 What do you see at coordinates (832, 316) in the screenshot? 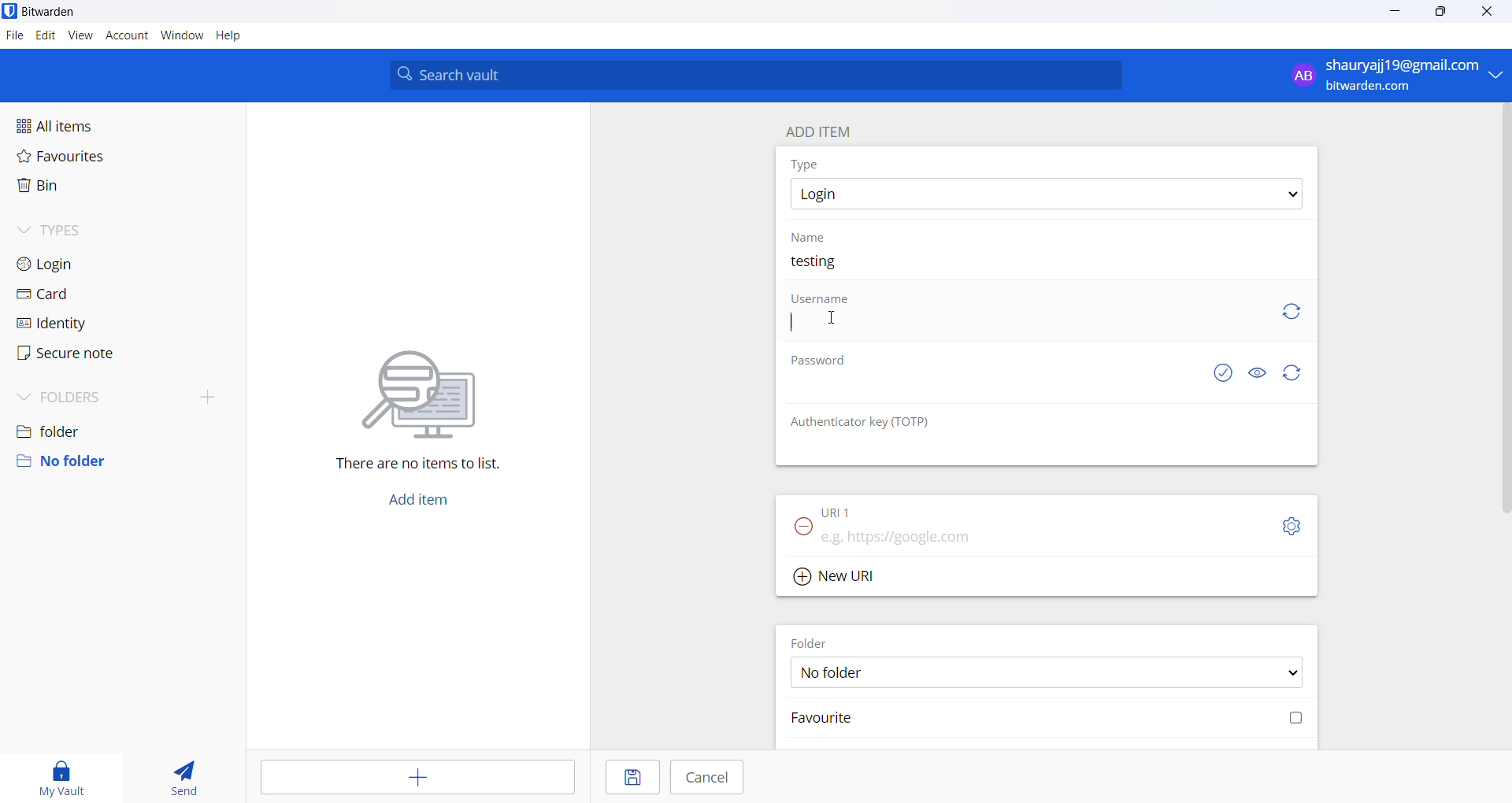
I see `cursor` at bounding box center [832, 316].